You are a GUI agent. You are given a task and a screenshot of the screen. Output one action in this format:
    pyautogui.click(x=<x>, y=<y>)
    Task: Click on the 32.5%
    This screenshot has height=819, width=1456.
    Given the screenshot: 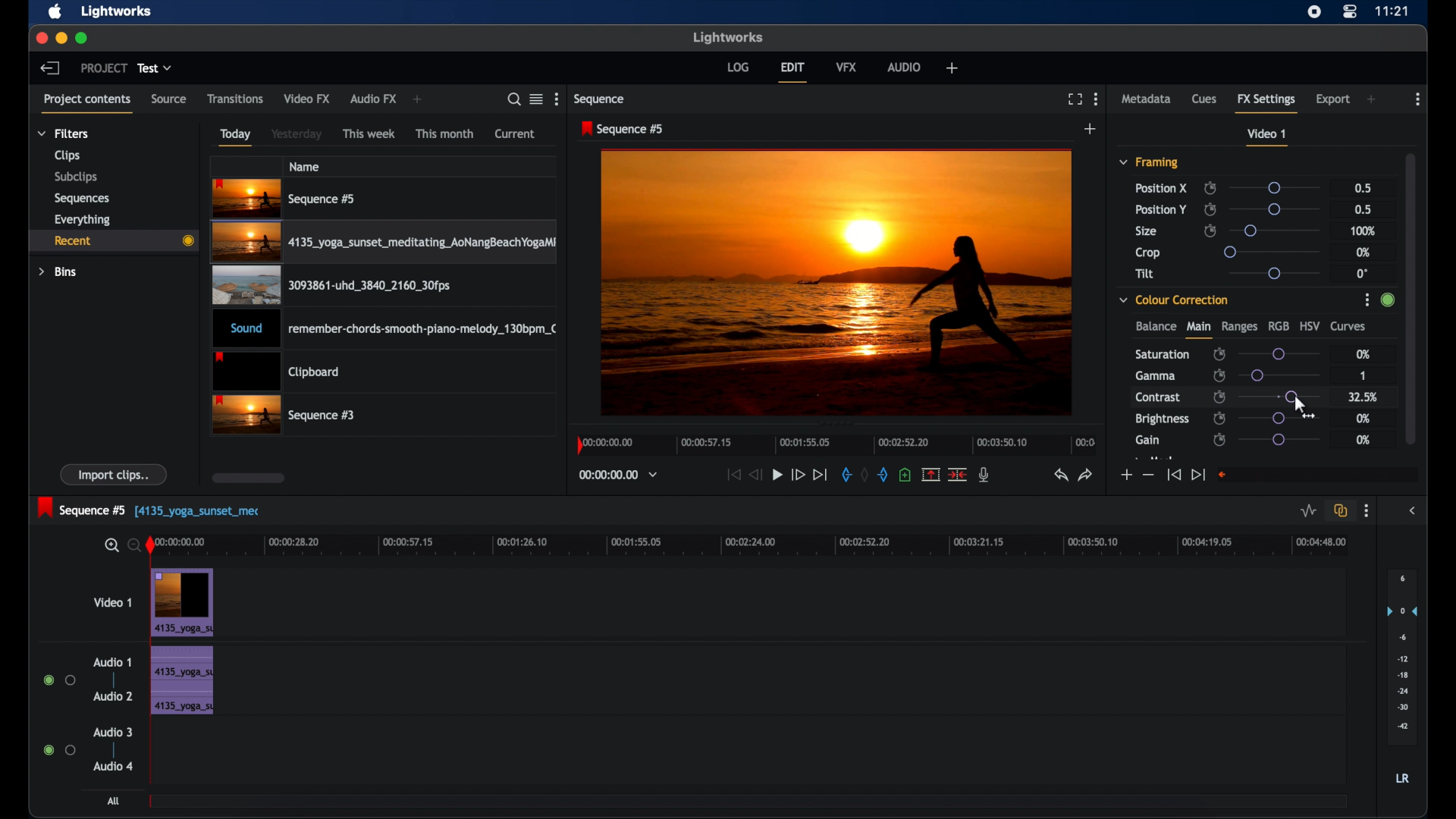 What is the action you would take?
    pyautogui.click(x=1364, y=397)
    